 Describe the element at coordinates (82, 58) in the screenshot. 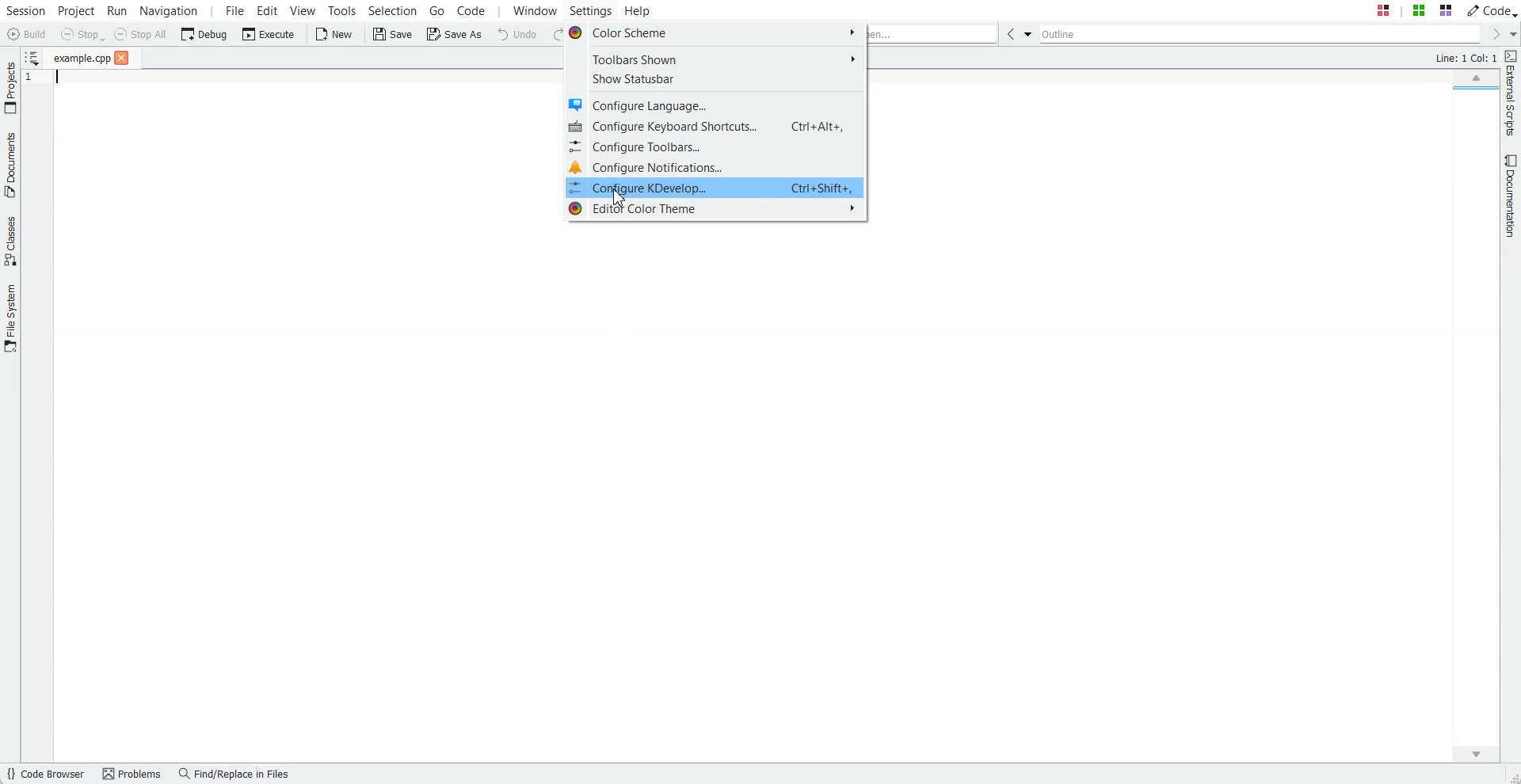

I see `File` at that location.